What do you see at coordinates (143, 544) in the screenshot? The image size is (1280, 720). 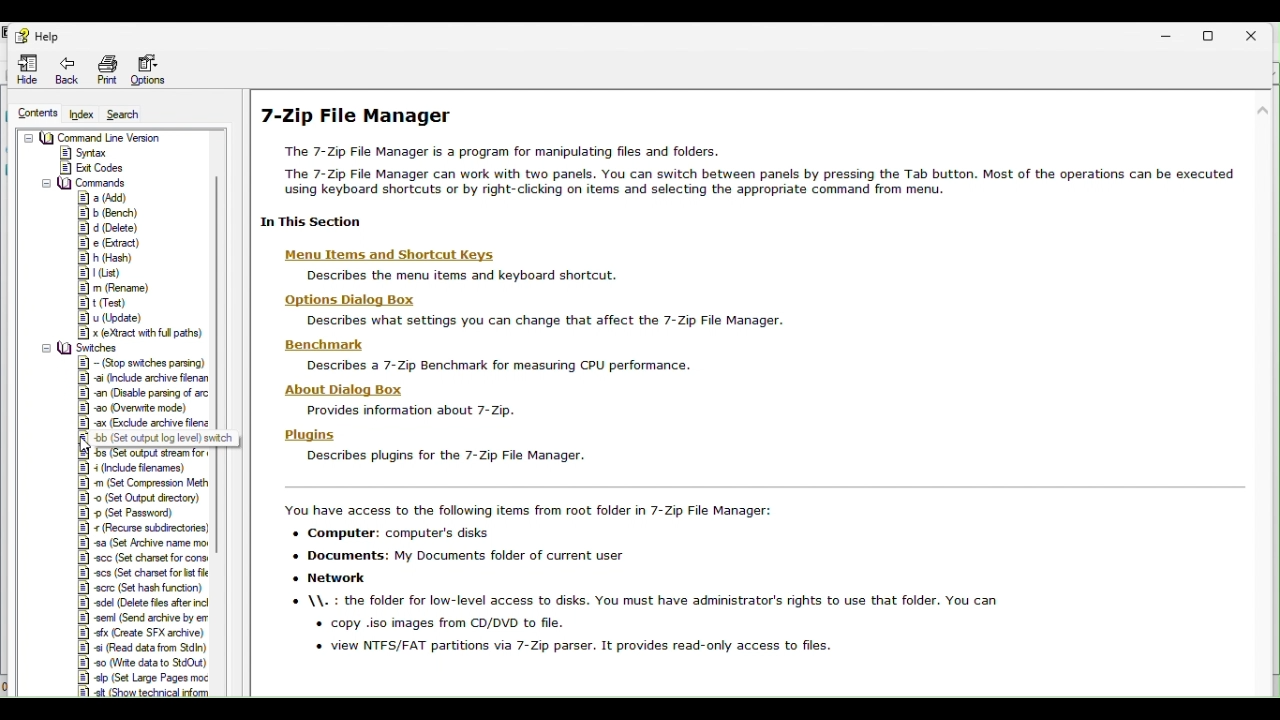 I see `i] 4a (Set Archive name mo` at bounding box center [143, 544].